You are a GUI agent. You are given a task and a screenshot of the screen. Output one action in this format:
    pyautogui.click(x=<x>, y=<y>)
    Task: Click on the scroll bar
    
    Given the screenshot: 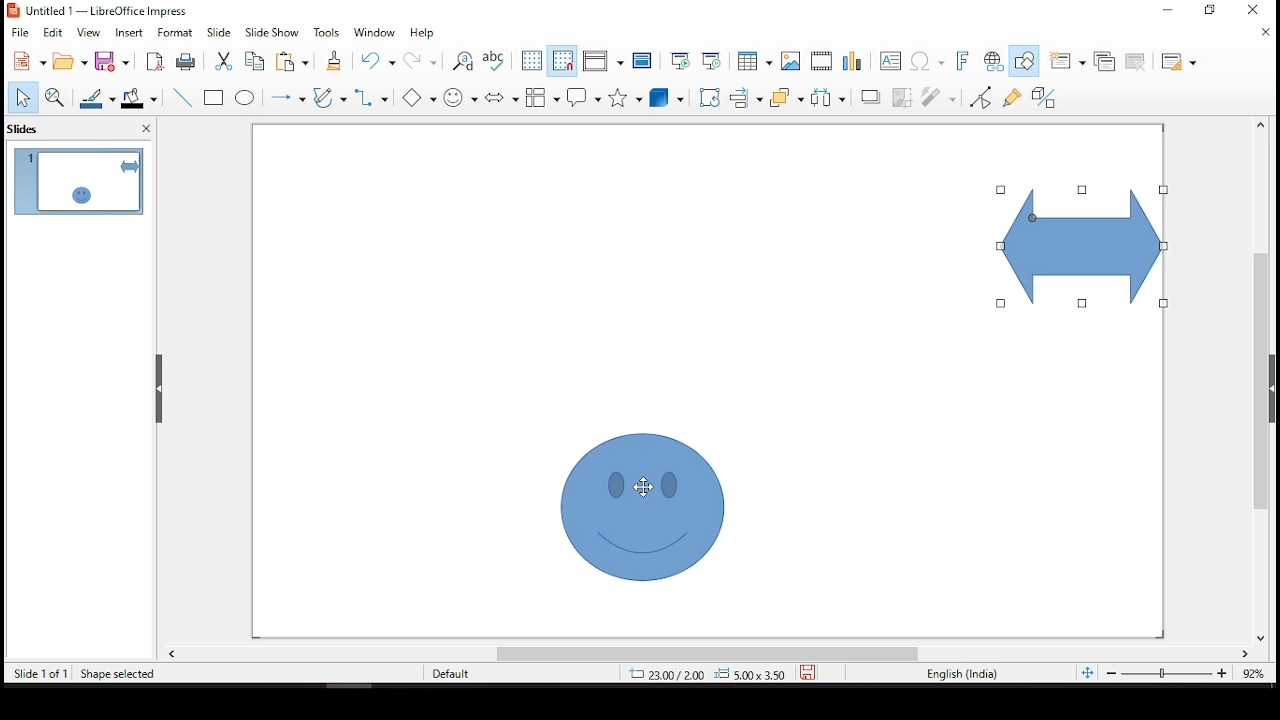 What is the action you would take?
    pyautogui.click(x=709, y=654)
    